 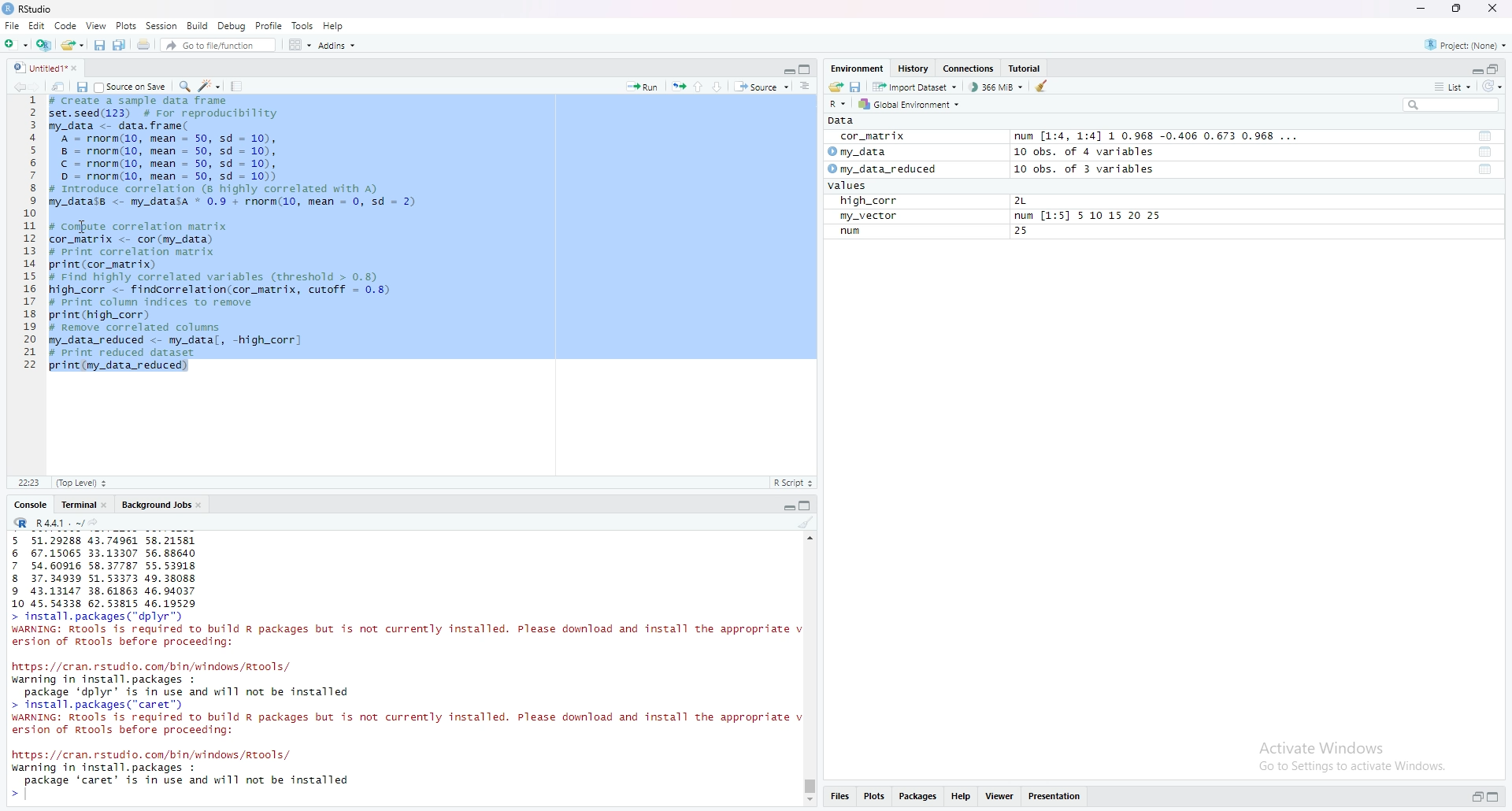 What do you see at coordinates (263, 235) in the screenshot?
I see `# Create a sample data frameset.seed(123) # For reproducibilitymy_data <- data. frame(A = rnorm(10, mean = 50, sd = 10),8 = rnorm(10, mean = 50, sd = 10),© = rnorm(10, mean = 50, sd = 10),D = rnorm(10, mean = 50, sd = 10))# Introduce correlation (8 highly correlated with A)my_datass <- my_datasa * 0.9 + rnorm(10, mean = 0, sd = 2) # Compute correlation matrixcor_natrix <- cor (my_data)# Print correlation matrixprint (cor_matrix)# Find highly correlated variables (threshold > 0.8high_corr <- findcorrelation(cor_matrix, cutoff = 0.8)# Print column indices to removeprint (high_corr)# Remove correlated columnsmy_data_reduced <- my_datal, -high_corr]# Print reduced datasetprint (my_data_reduced)` at bounding box center [263, 235].